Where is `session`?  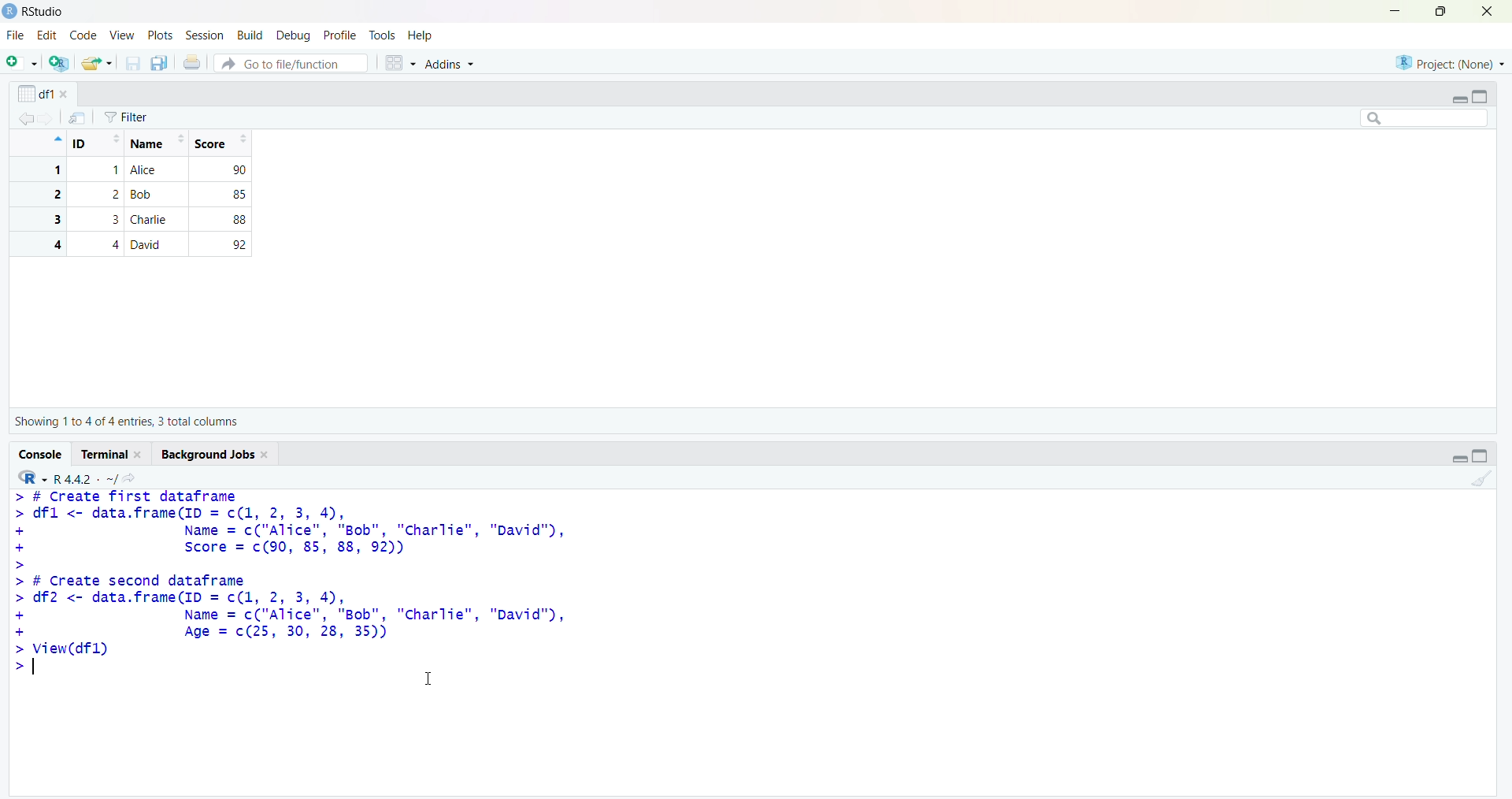 session is located at coordinates (208, 35).